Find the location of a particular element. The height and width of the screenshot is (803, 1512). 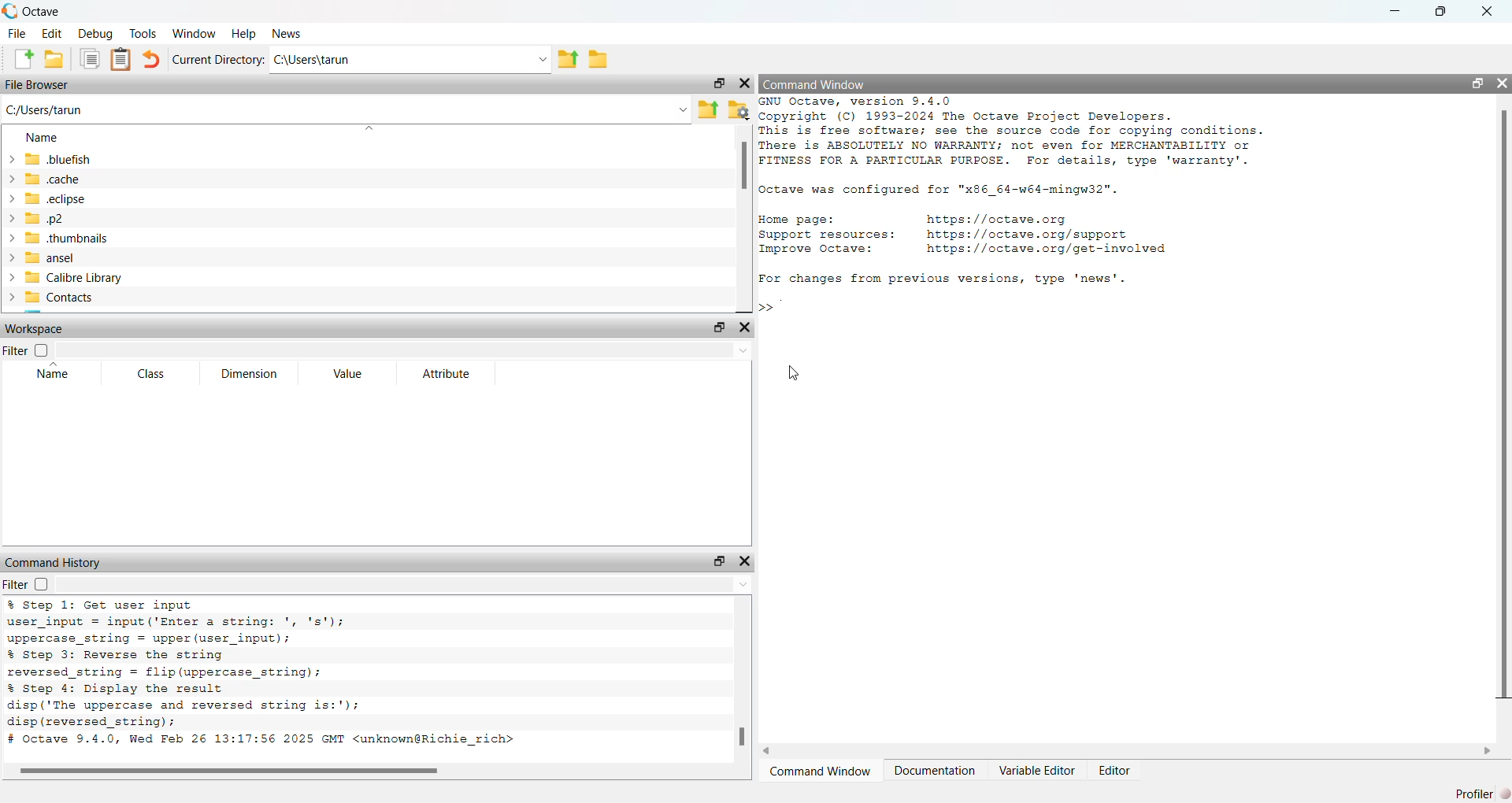

configuration of octave is located at coordinates (939, 191).